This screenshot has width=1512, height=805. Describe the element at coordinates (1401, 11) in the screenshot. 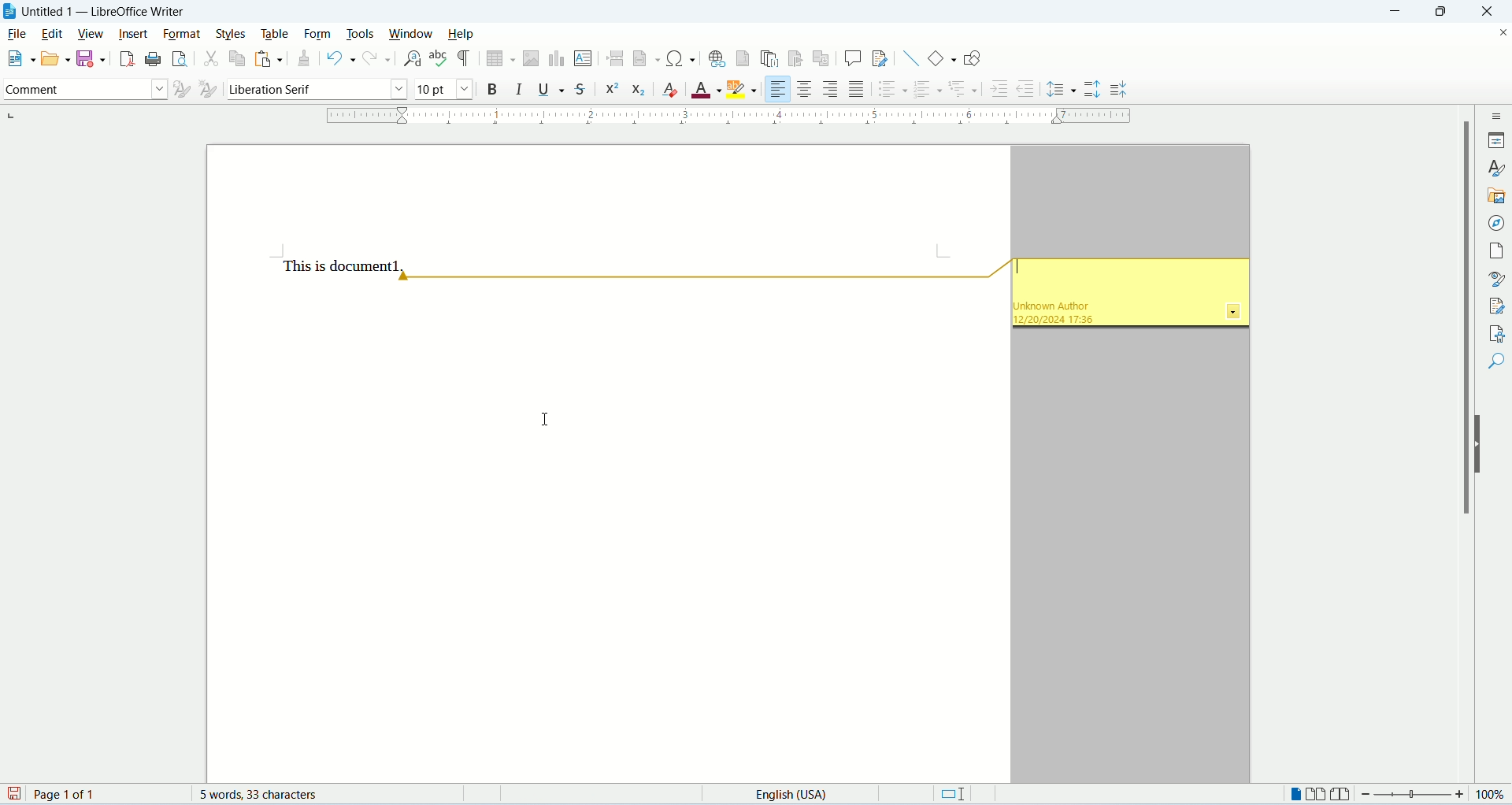

I see `minimize` at that location.